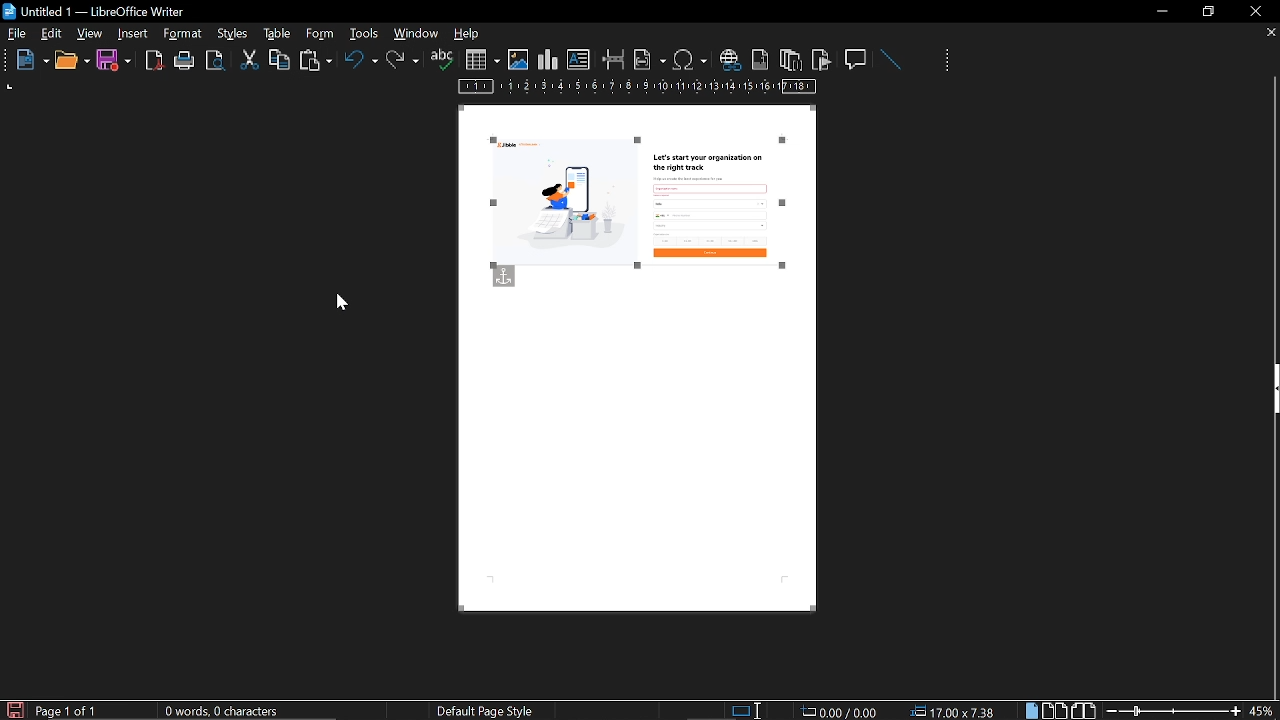 This screenshot has width=1280, height=720. Describe the element at coordinates (690, 59) in the screenshot. I see `insert symbol` at that location.